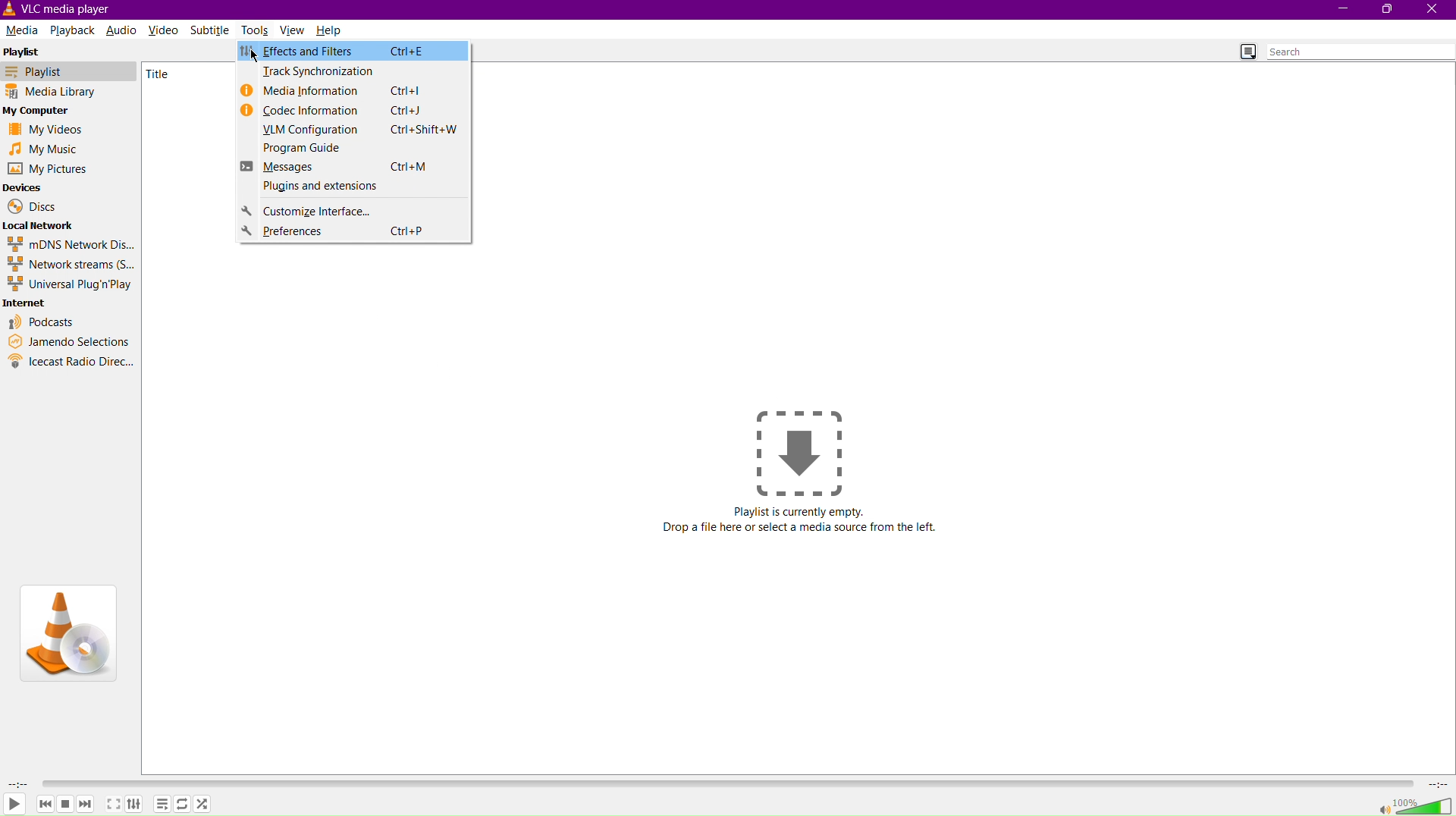  I want to click on My Pictures, so click(52, 170).